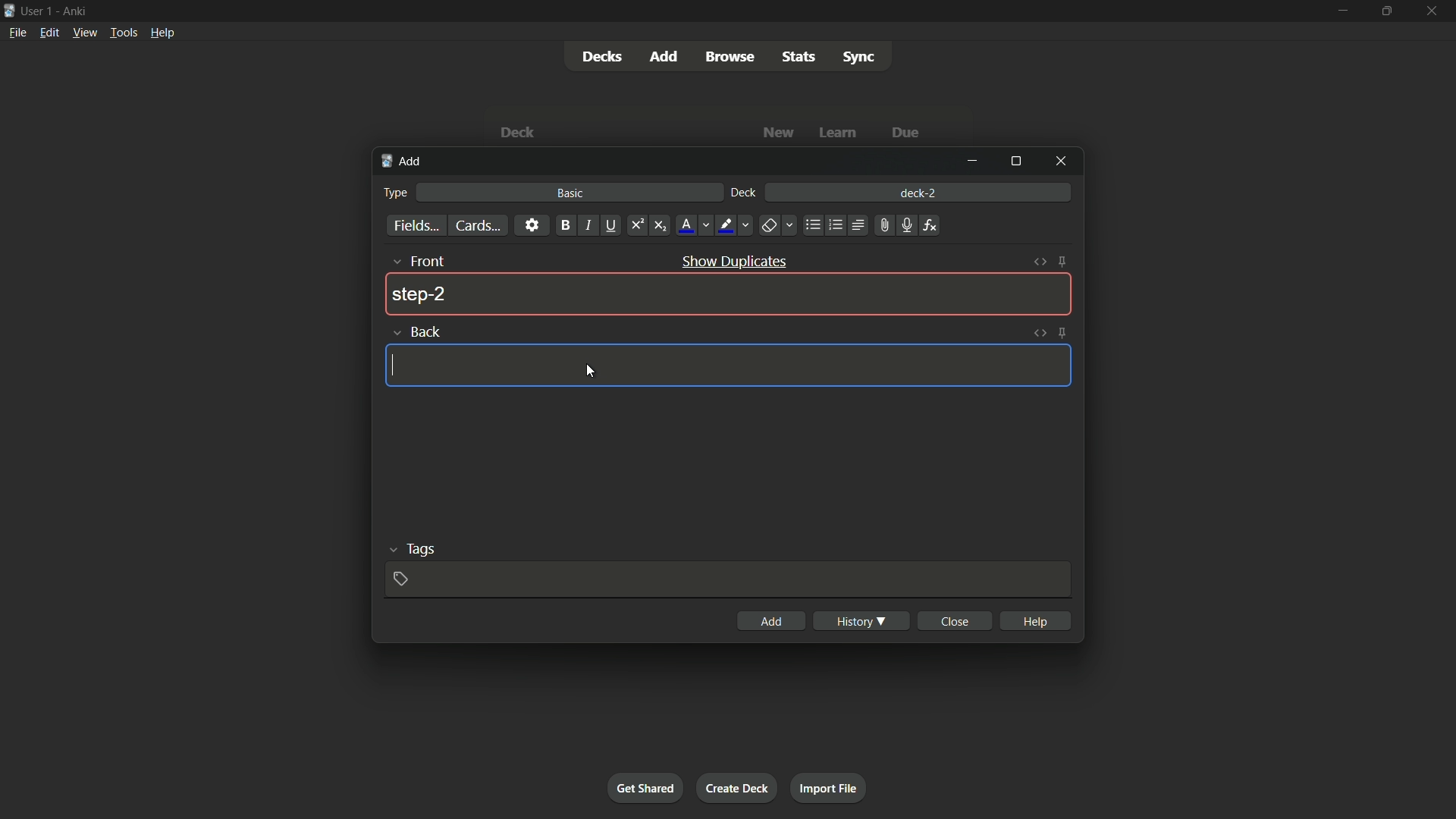  I want to click on add, so click(775, 621).